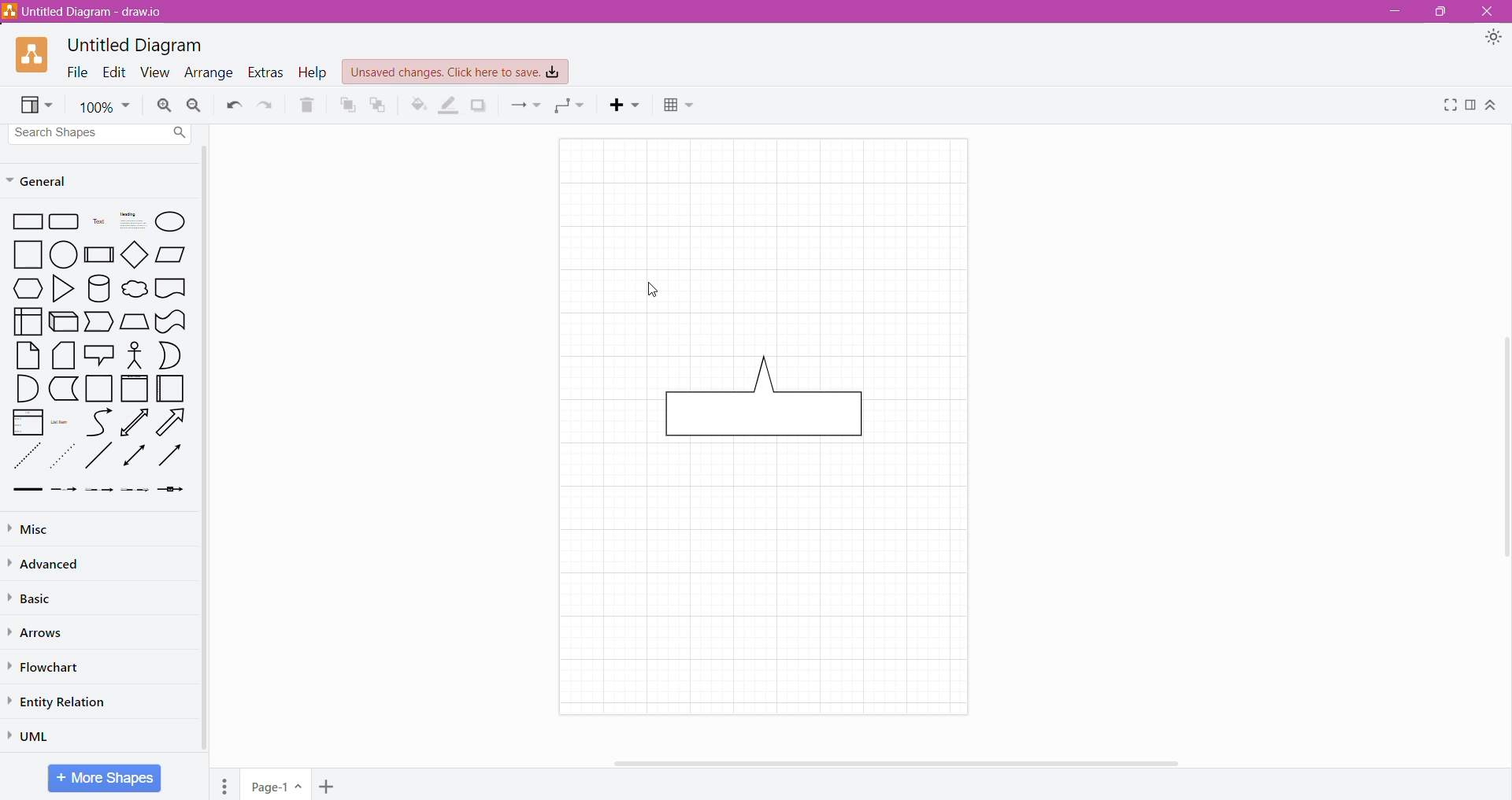 Image resolution: width=1512 pixels, height=800 pixels. What do you see at coordinates (98, 254) in the screenshot?
I see `subprocess` at bounding box center [98, 254].